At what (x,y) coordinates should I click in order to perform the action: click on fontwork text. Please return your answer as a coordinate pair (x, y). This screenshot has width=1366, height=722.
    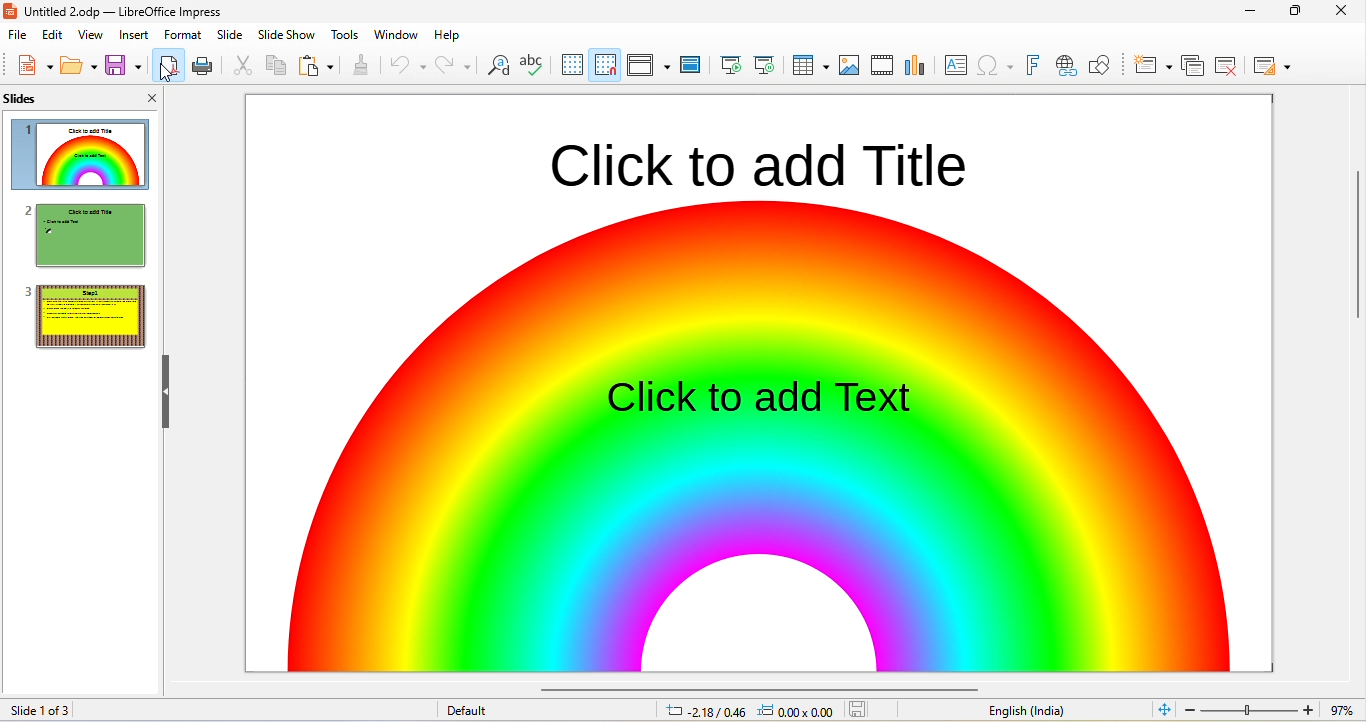
    Looking at the image, I should click on (1031, 63).